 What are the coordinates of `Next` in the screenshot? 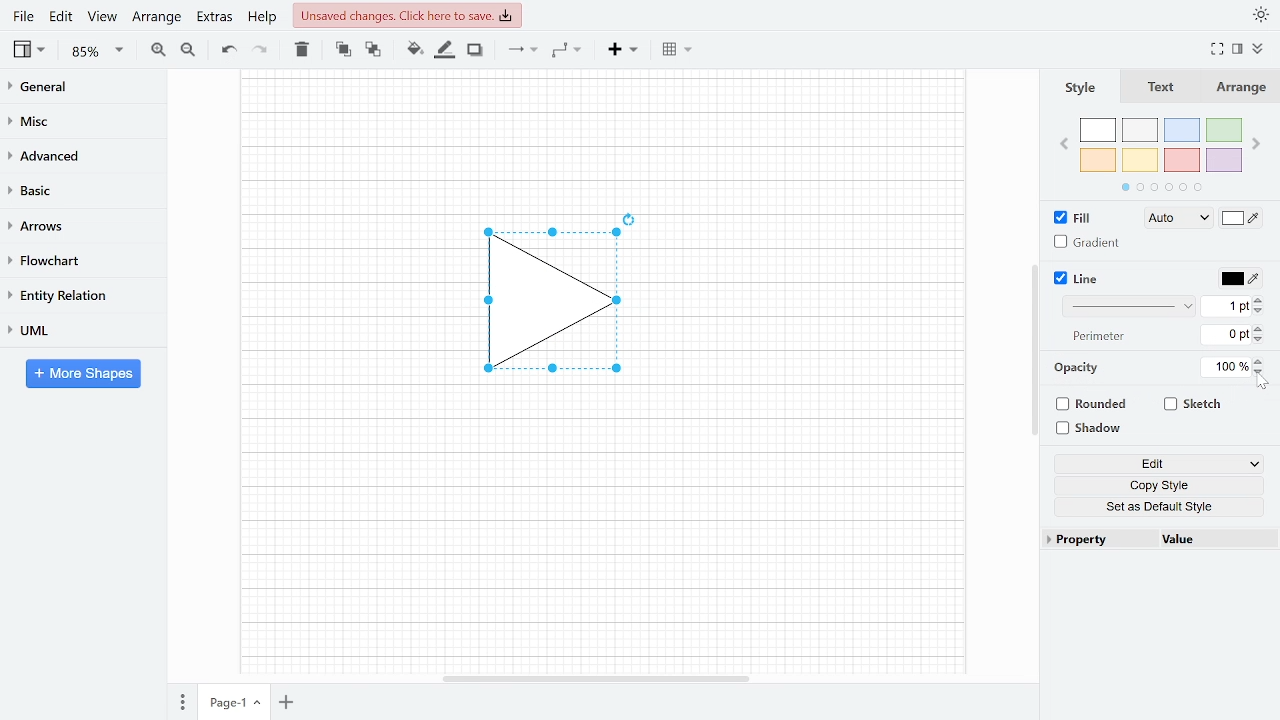 It's located at (1258, 140).